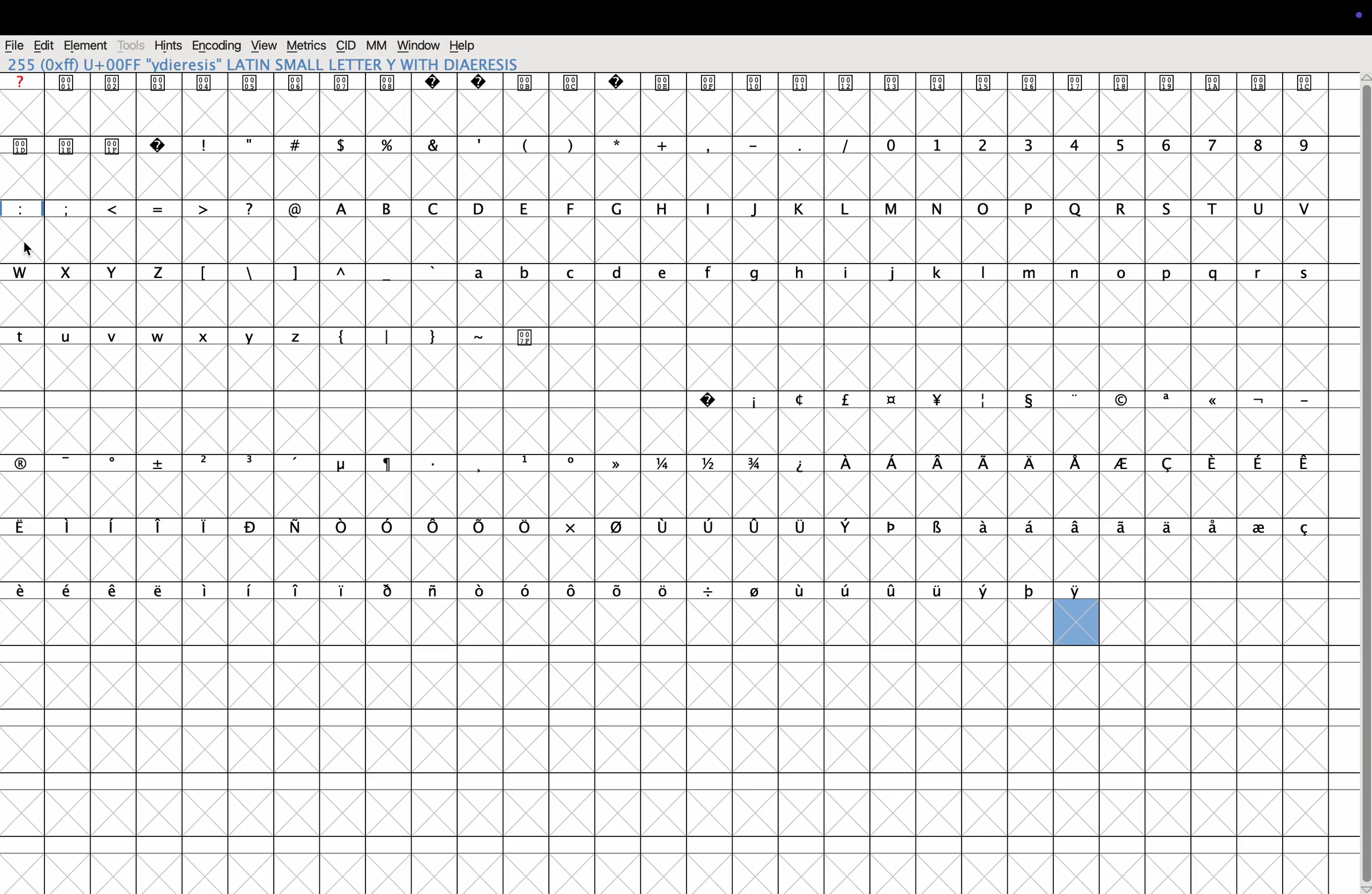 The width and height of the screenshot is (1372, 894). What do you see at coordinates (159, 356) in the screenshot?
I see `w` at bounding box center [159, 356].